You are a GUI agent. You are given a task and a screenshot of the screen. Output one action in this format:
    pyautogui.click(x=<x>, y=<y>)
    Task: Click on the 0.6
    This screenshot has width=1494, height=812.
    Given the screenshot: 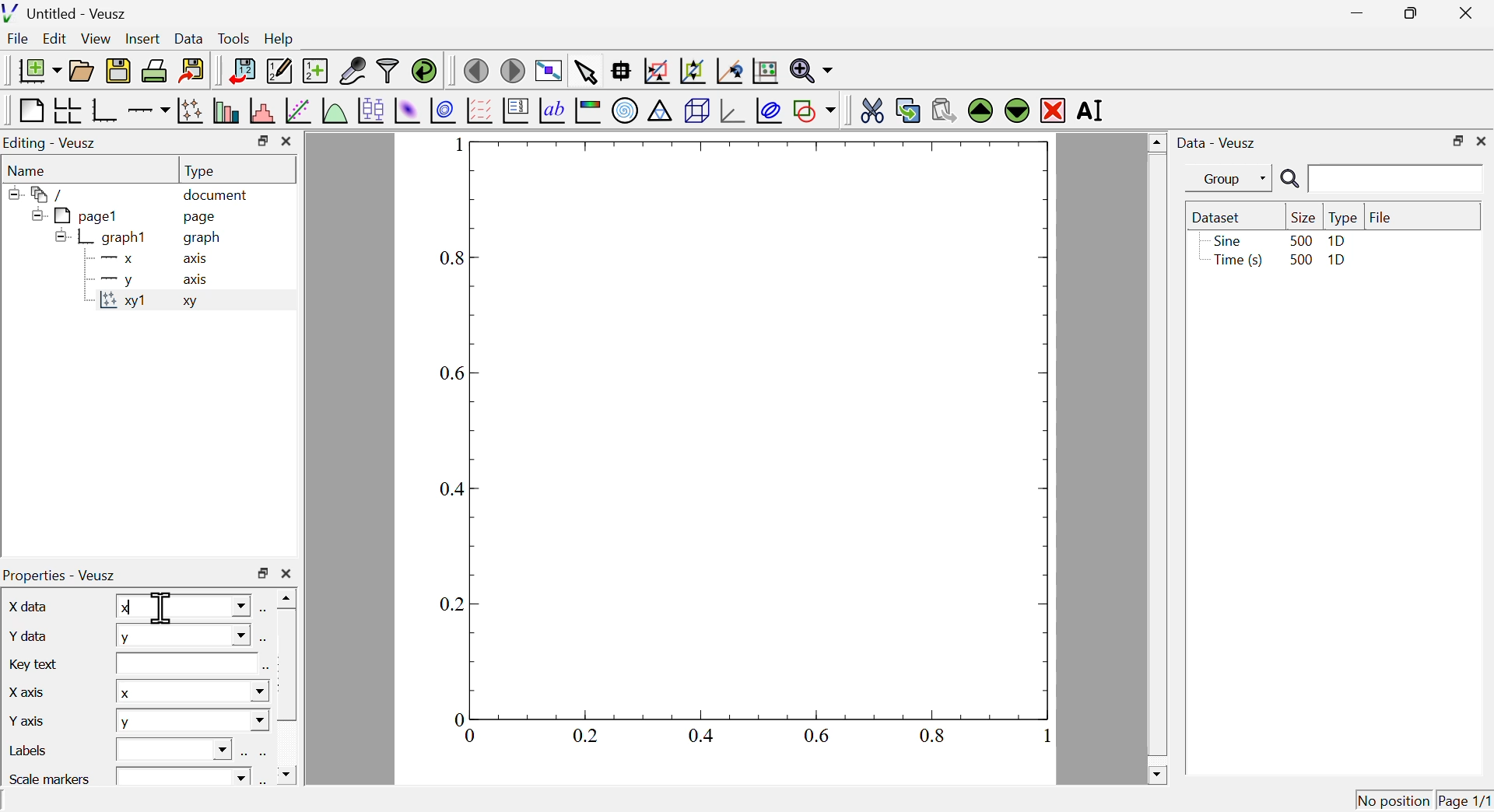 What is the action you would take?
    pyautogui.click(x=819, y=734)
    